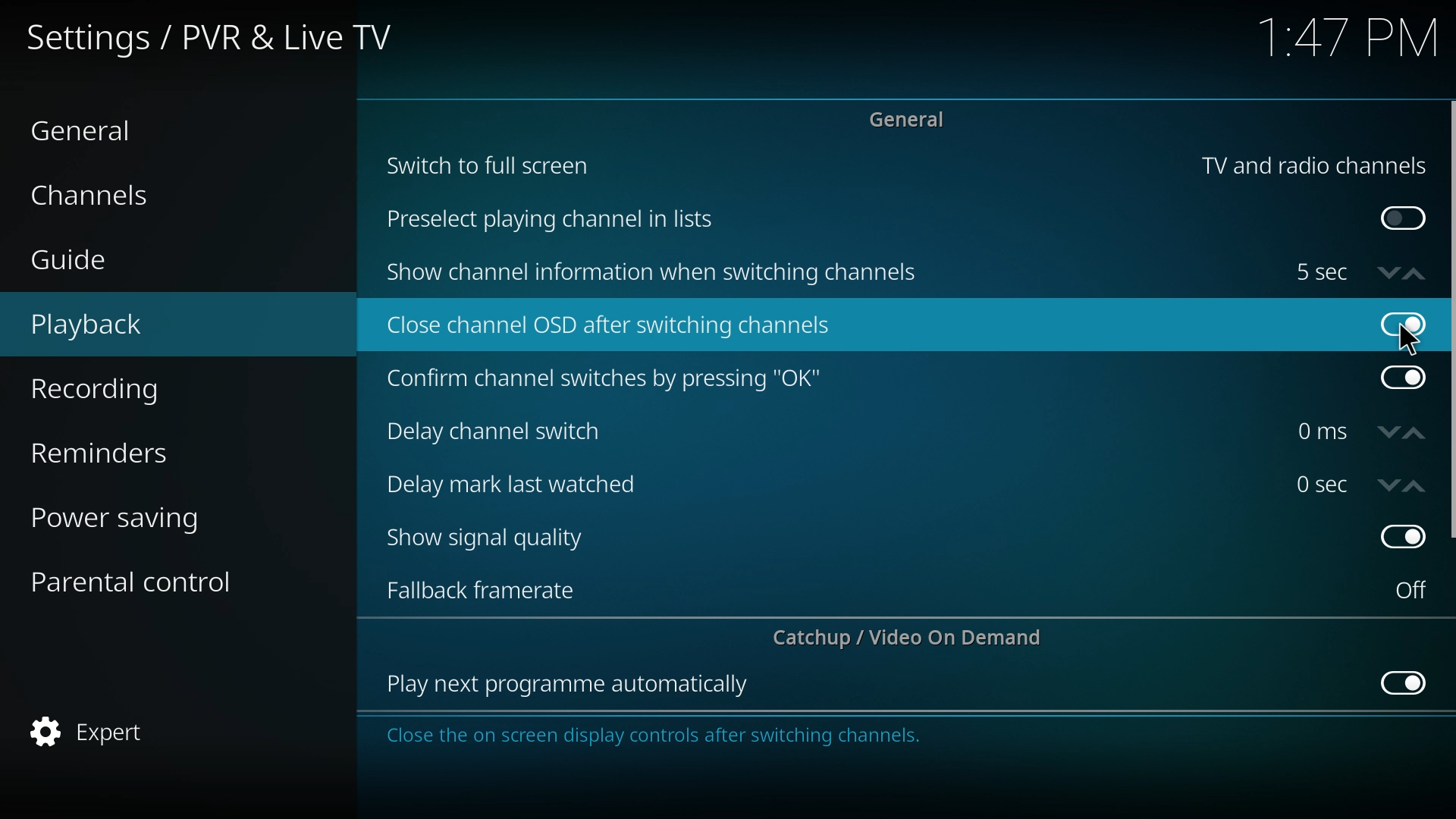  I want to click on increase time, so click(1415, 434).